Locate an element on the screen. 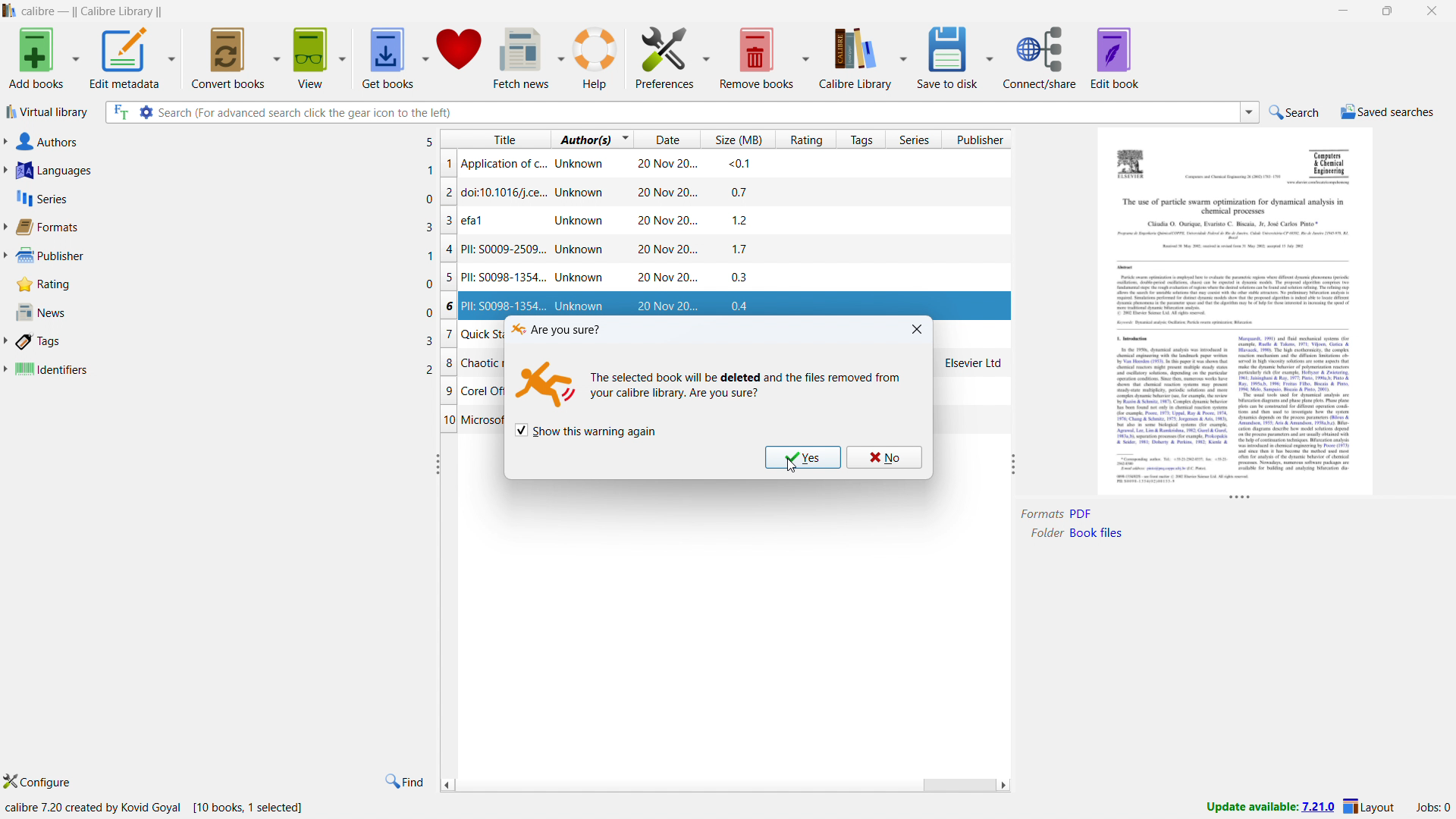 The width and height of the screenshot is (1456, 819). no is located at coordinates (883, 457).